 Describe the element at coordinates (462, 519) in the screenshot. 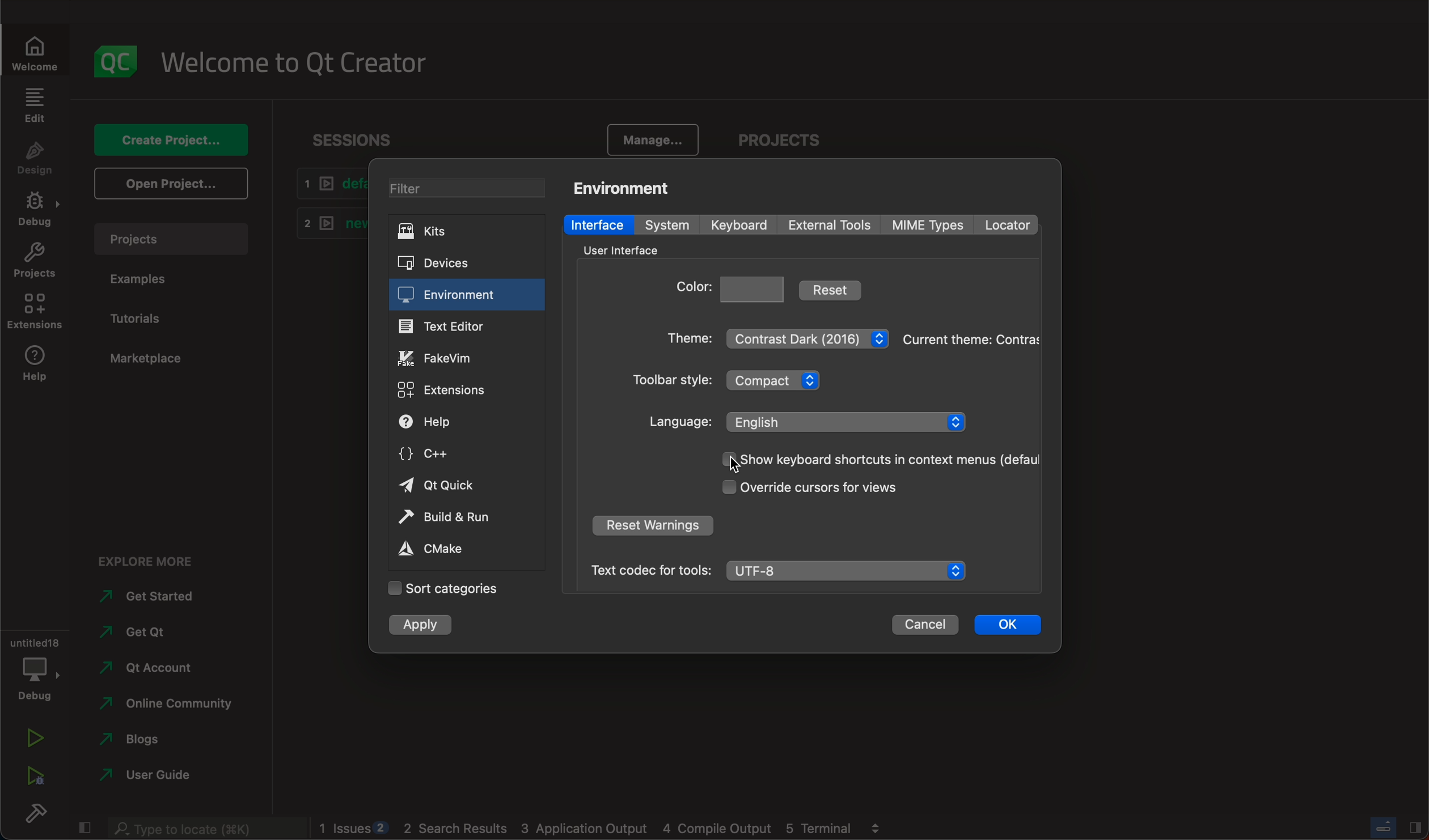

I see `build and run` at that location.